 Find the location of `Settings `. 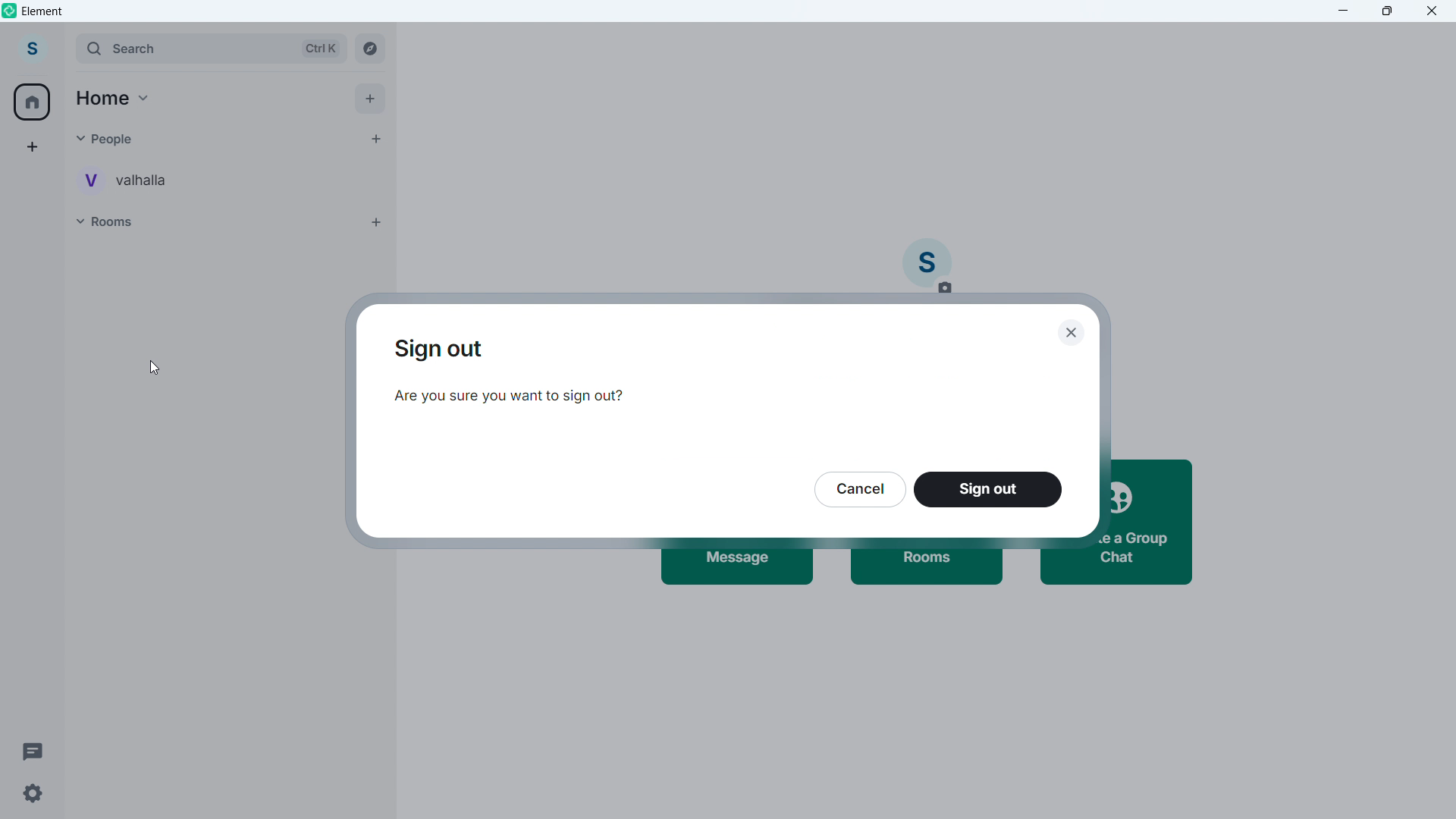

Settings  is located at coordinates (39, 795).